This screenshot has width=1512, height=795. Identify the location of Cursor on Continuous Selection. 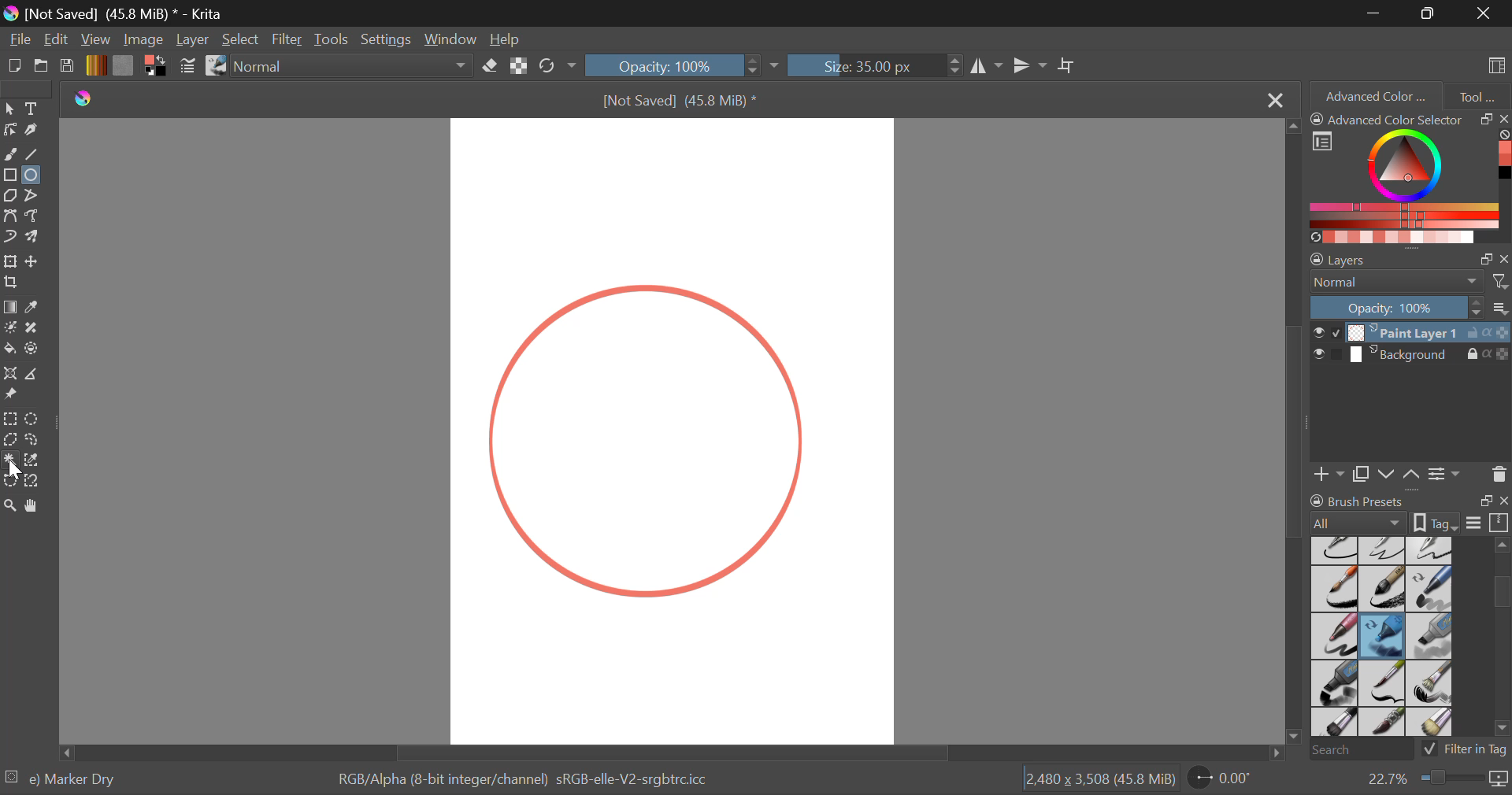
(9, 463).